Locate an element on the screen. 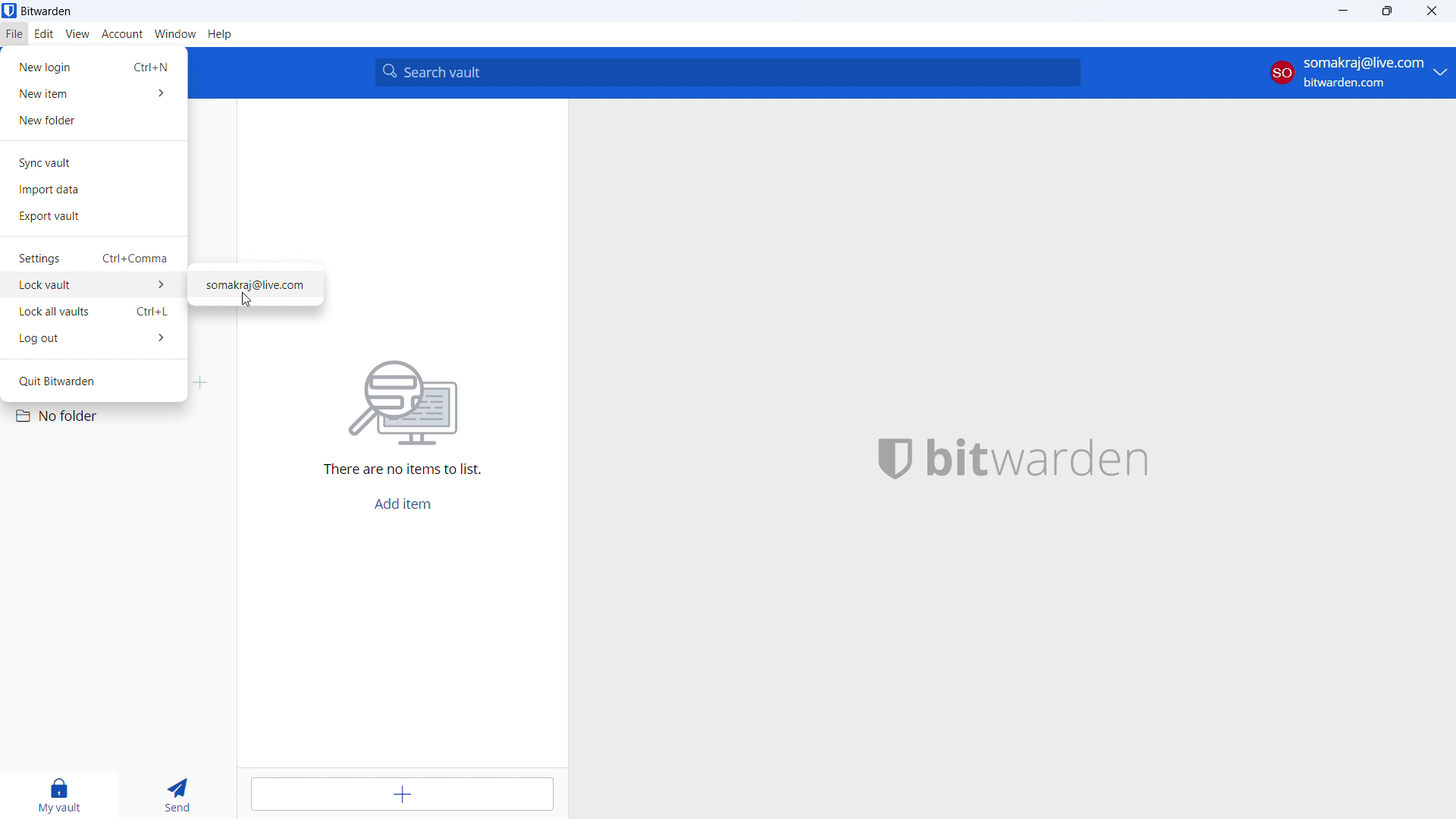 The height and width of the screenshot is (819, 1456). my vault is located at coordinates (60, 795).